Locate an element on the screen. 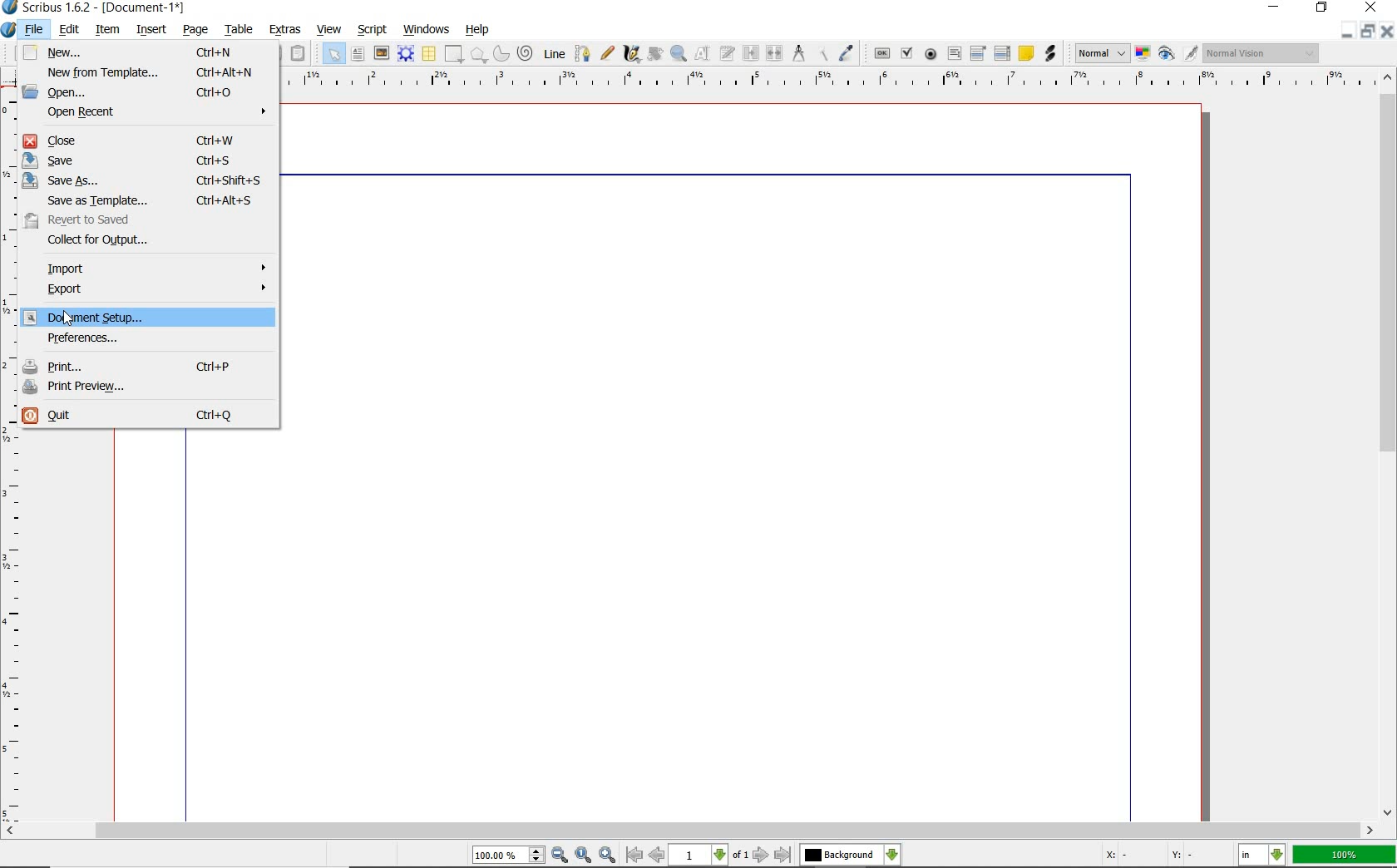 Image resolution: width=1397 pixels, height=868 pixels. paste is located at coordinates (301, 52).